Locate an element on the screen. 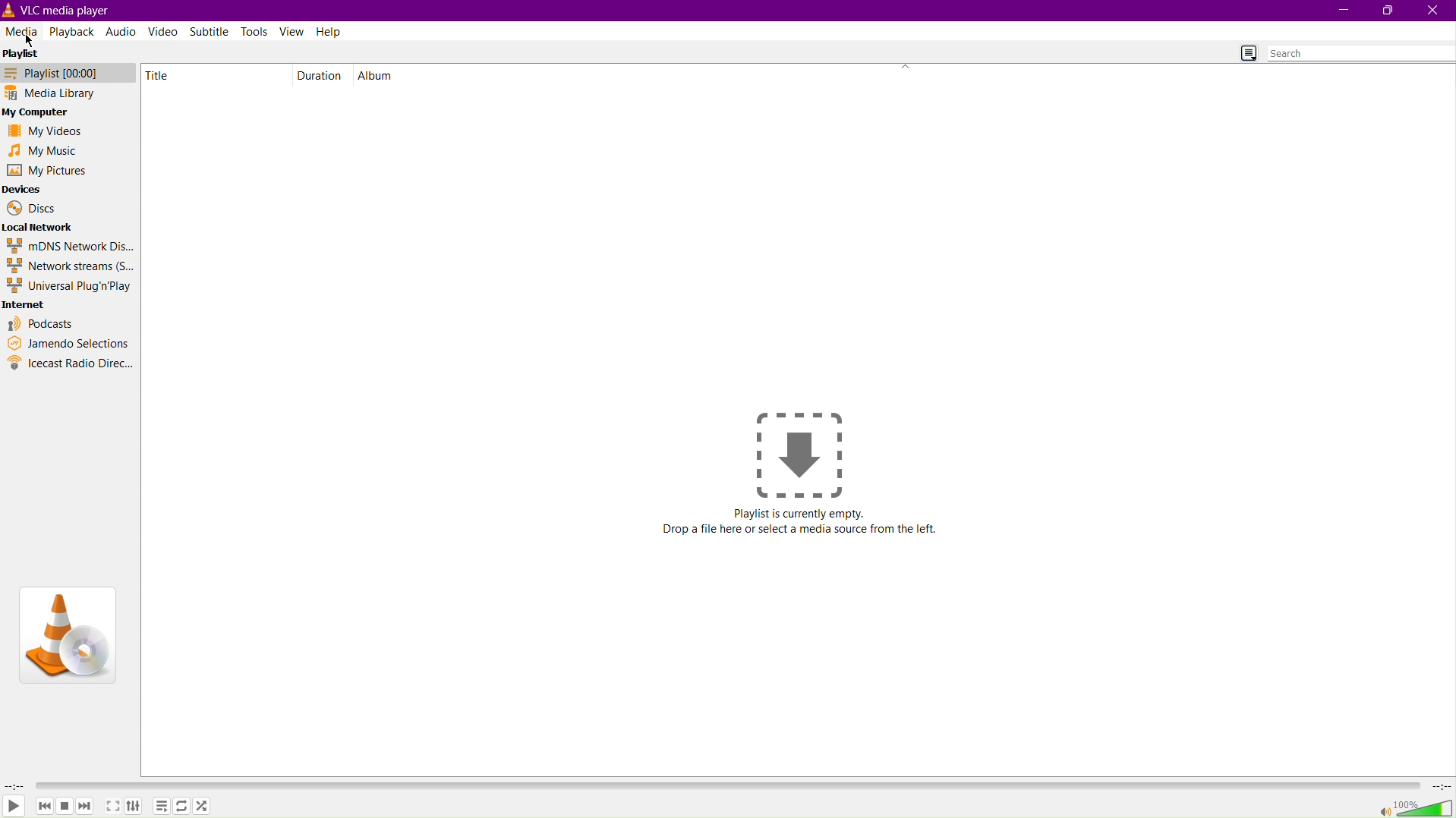 Image resolution: width=1456 pixels, height=818 pixels. Podcasts is located at coordinates (42, 324).